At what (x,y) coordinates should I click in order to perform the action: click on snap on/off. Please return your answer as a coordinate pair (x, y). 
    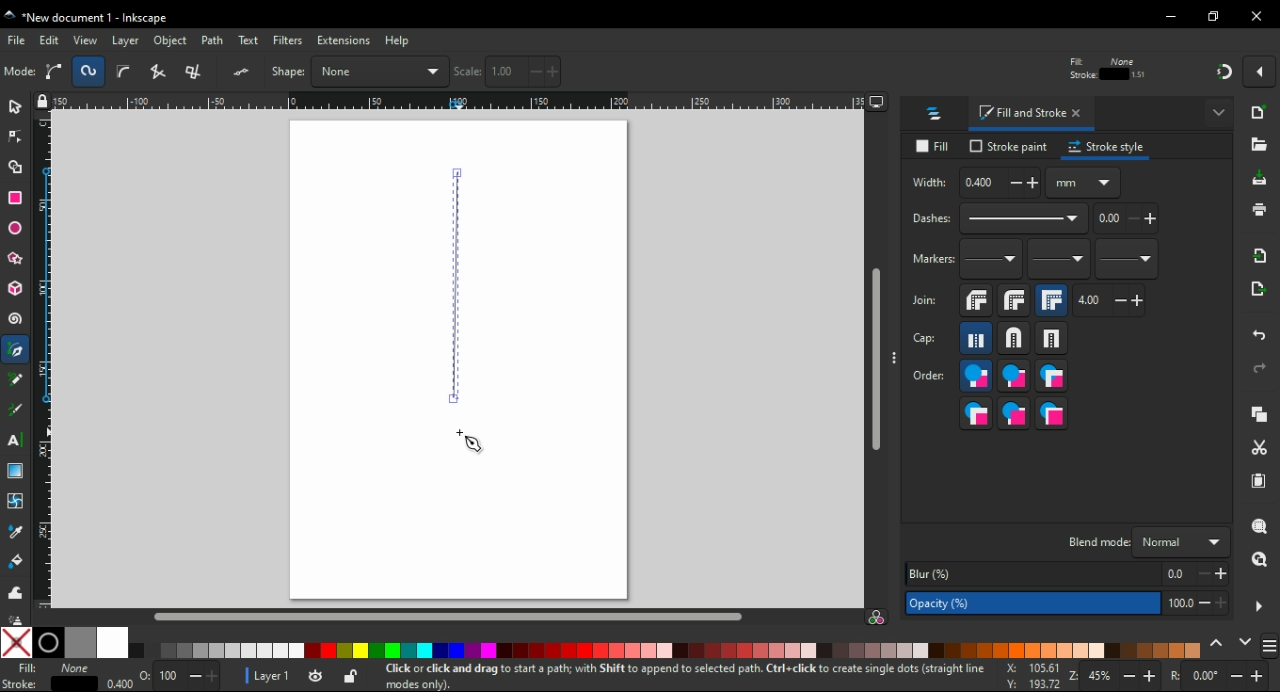
    Looking at the image, I should click on (1224, 70).